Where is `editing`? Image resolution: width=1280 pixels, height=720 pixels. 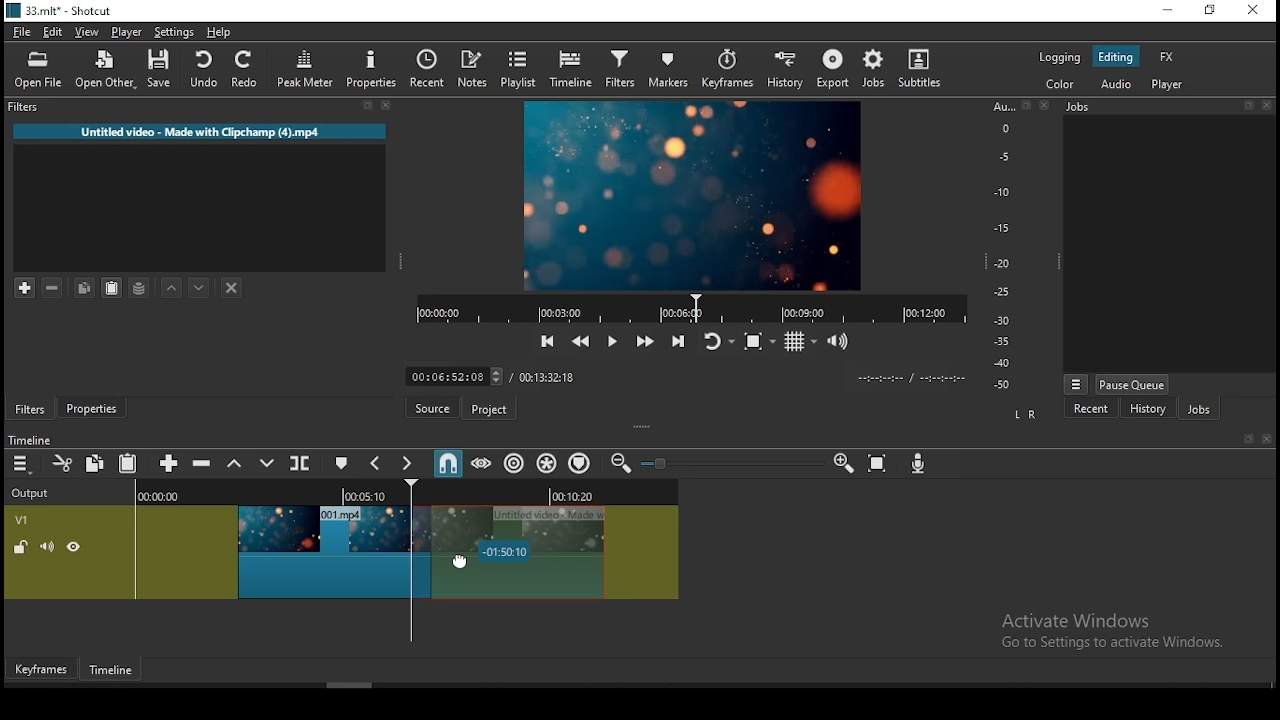
editing is located at coordinates (1117, 60).